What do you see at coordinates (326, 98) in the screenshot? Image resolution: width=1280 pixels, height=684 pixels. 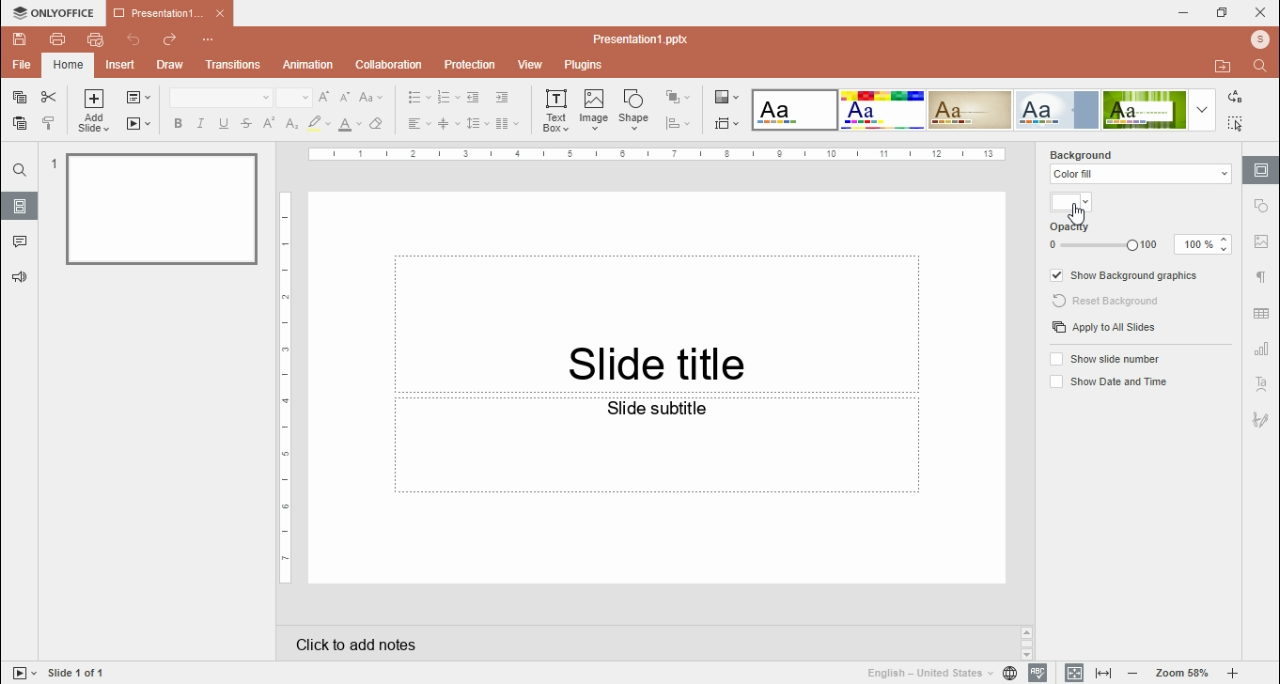 I see `increment font size` at bounding box center [326, 98].